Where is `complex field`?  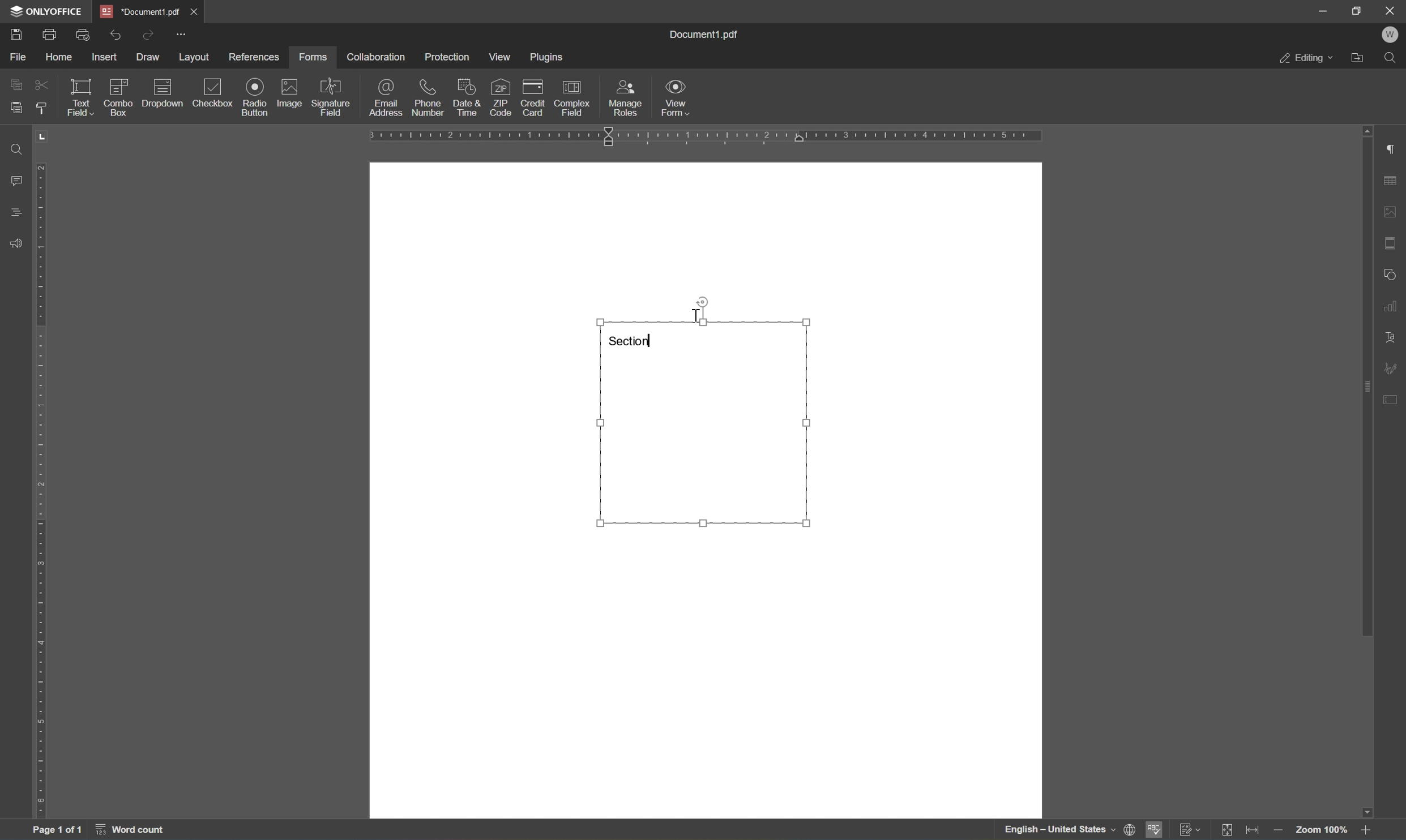 complex field is located at coordinates (573, 97).